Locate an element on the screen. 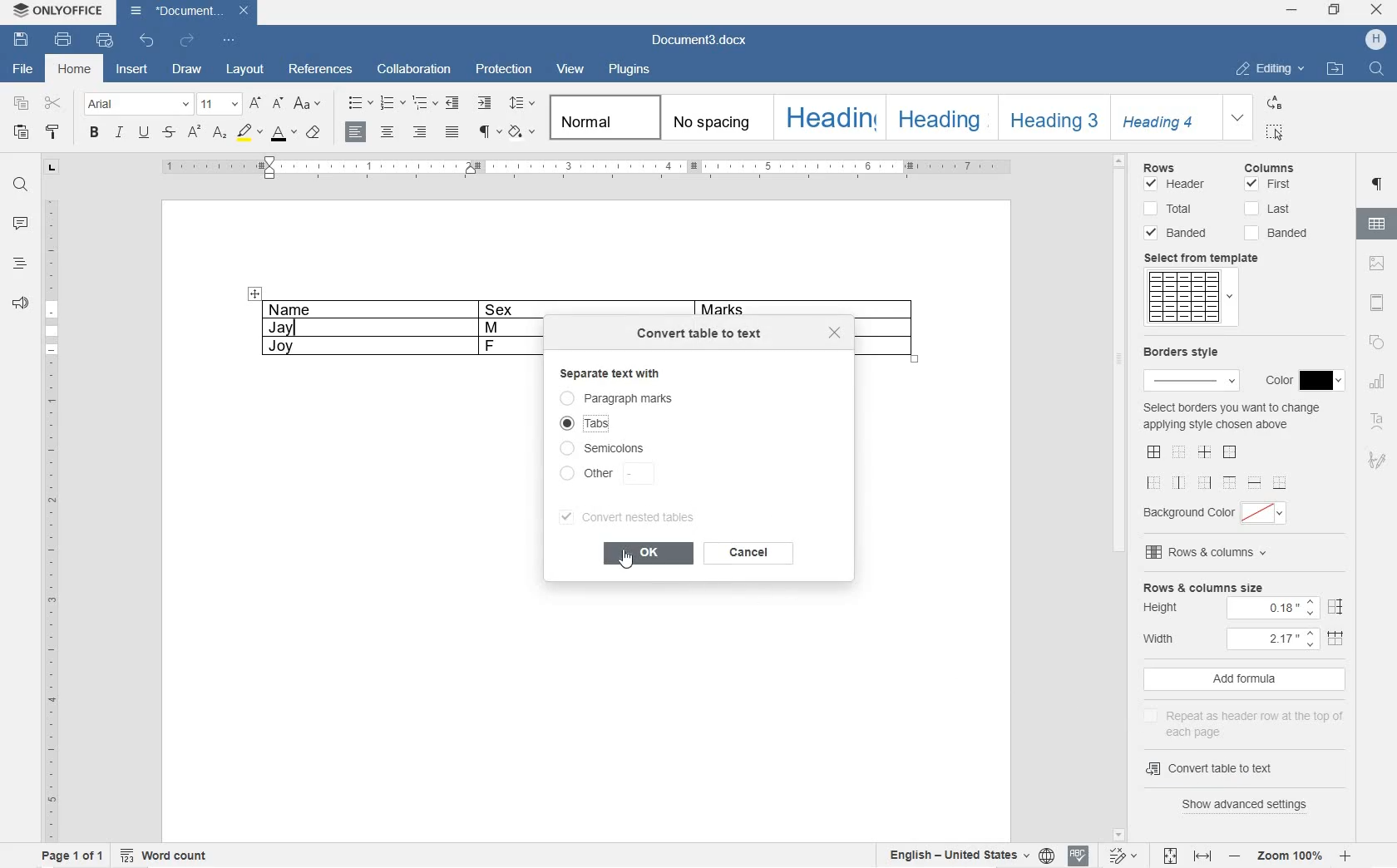 The width and height of the screenshot is (1397, 868). CUT is located at coordinates (55, 102).